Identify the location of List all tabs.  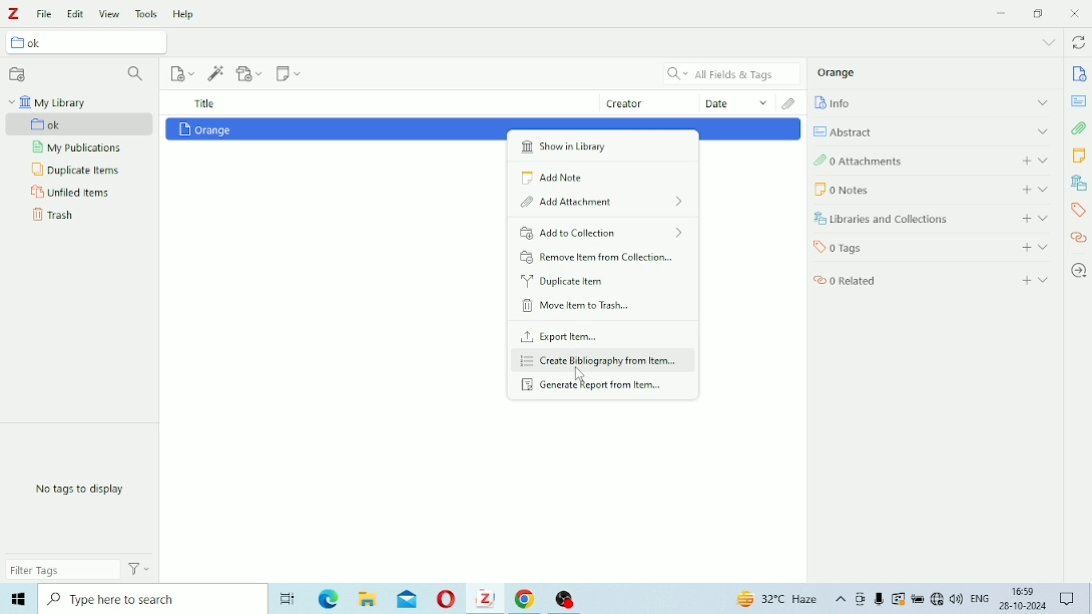
(1048, 43).